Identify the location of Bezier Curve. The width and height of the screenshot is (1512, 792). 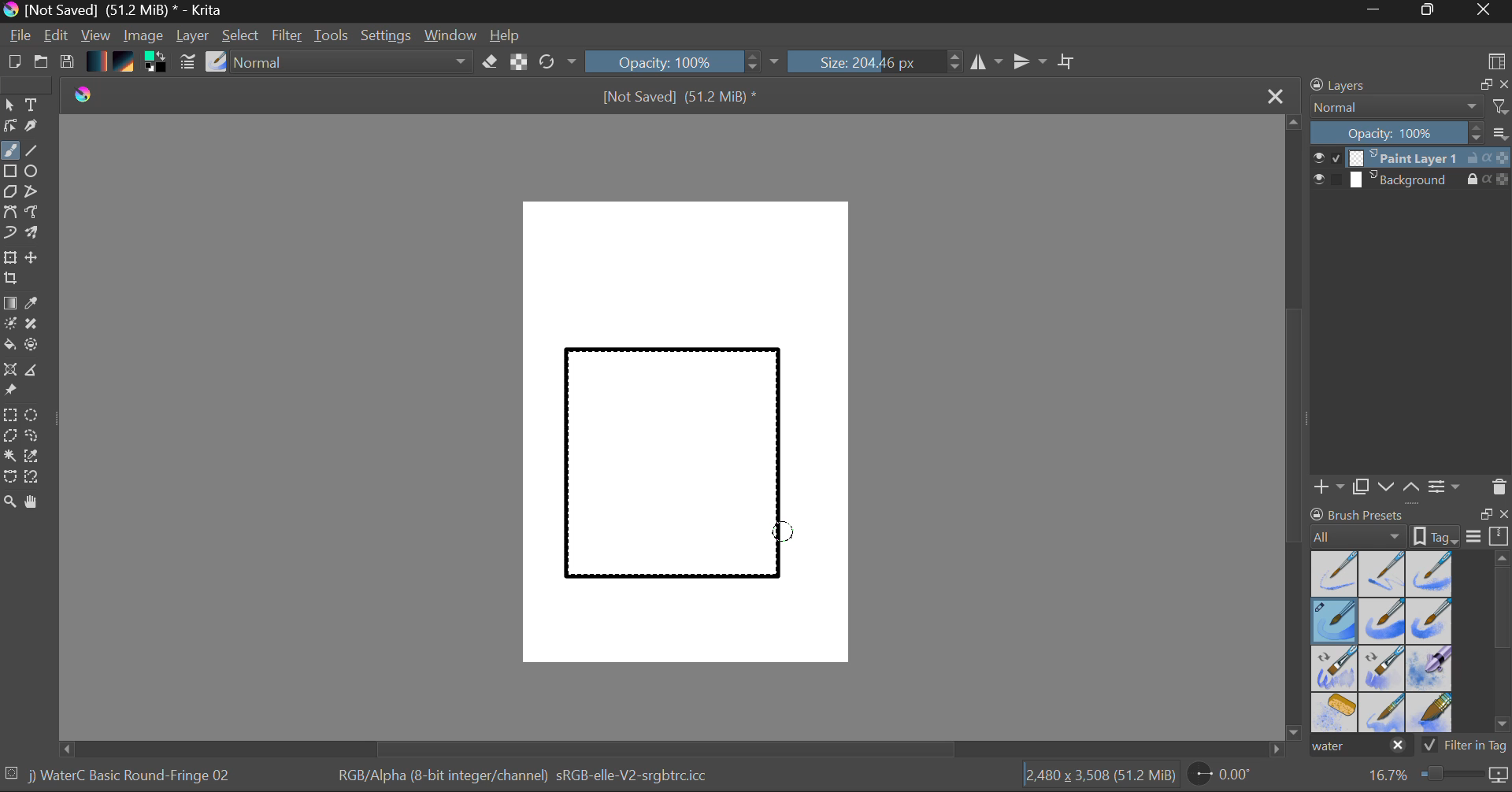
(9, 213).